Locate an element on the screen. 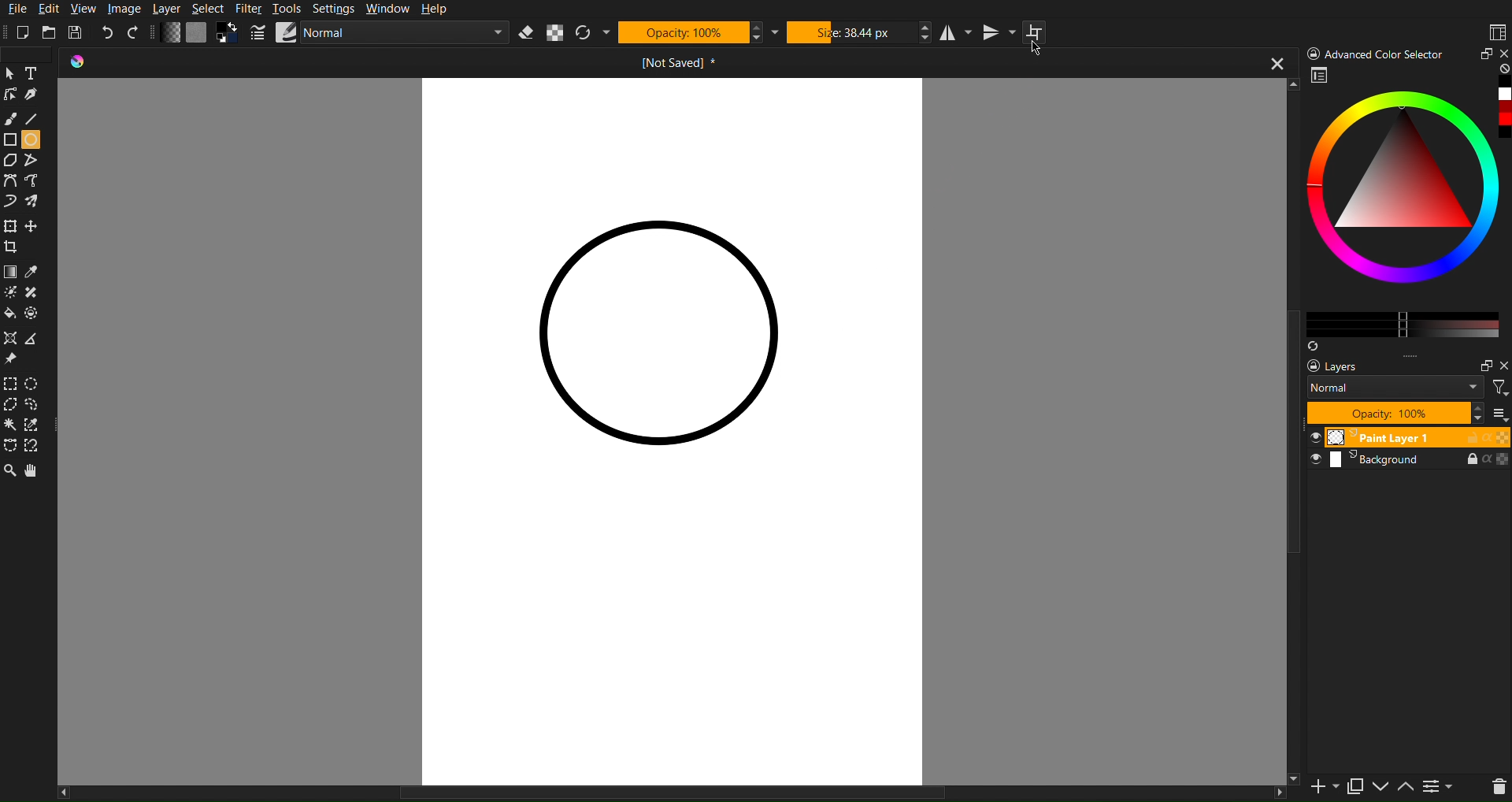 This screenshot has height=802, width=1512. Advanced Color Selector is located at coordinates (1400, 211).